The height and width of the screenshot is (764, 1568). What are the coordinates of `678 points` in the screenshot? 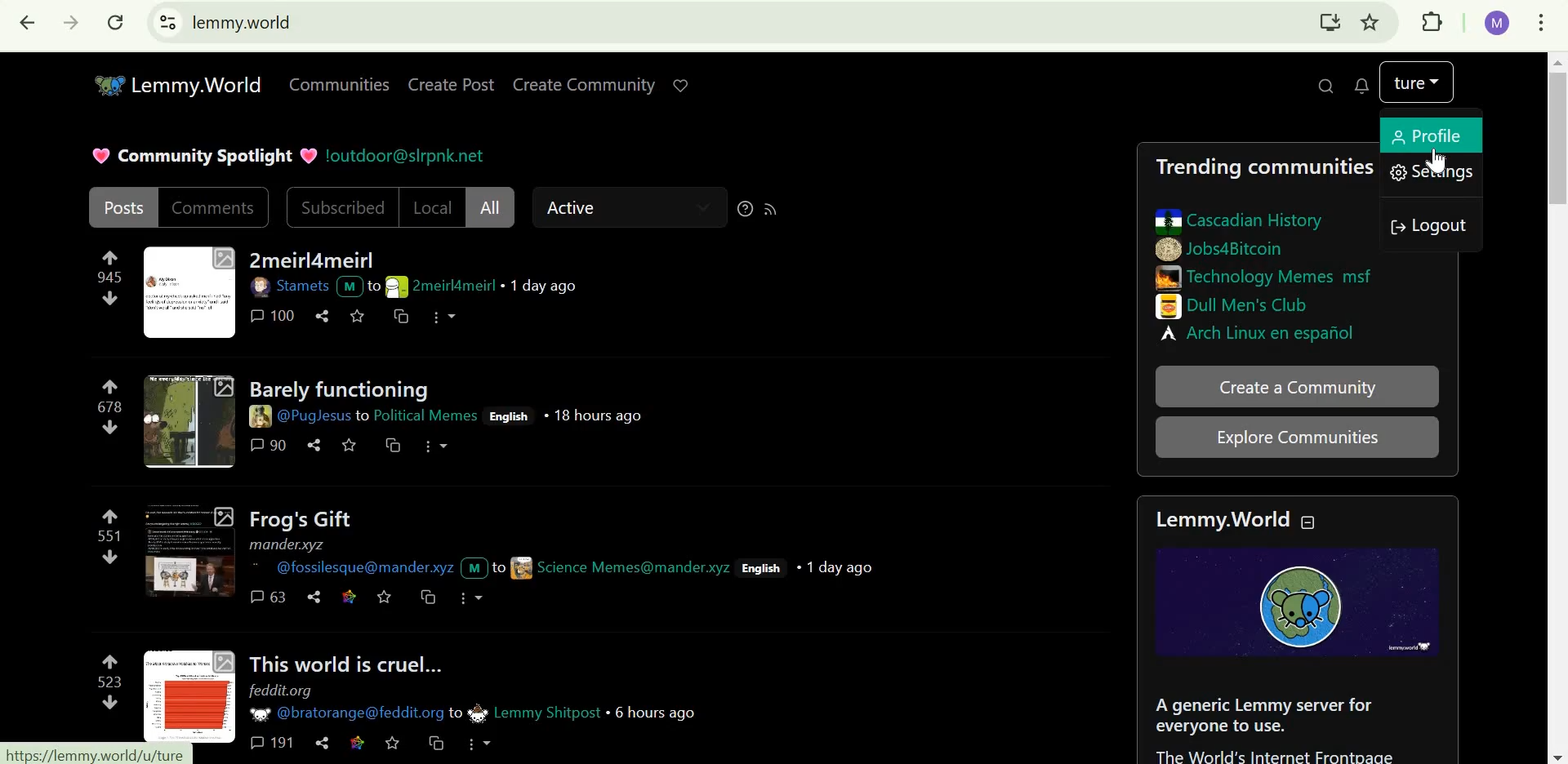 It's located at (108, 406).